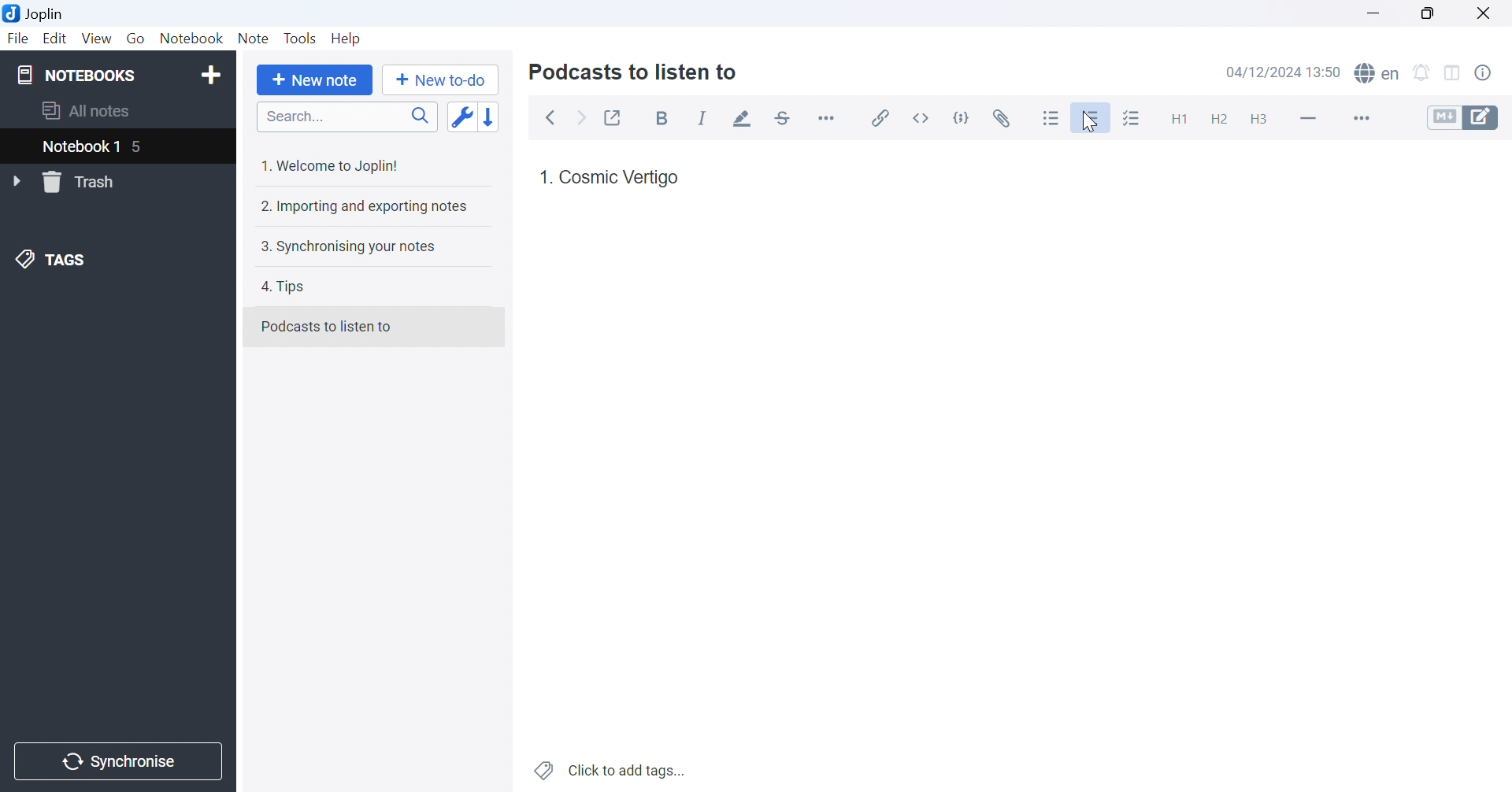 This screenshot has height=792, width=1512. What do you see at coordinates (613, 116) in the screenshot?
I see `Toggle external editing` at bounding box center [613, 116].